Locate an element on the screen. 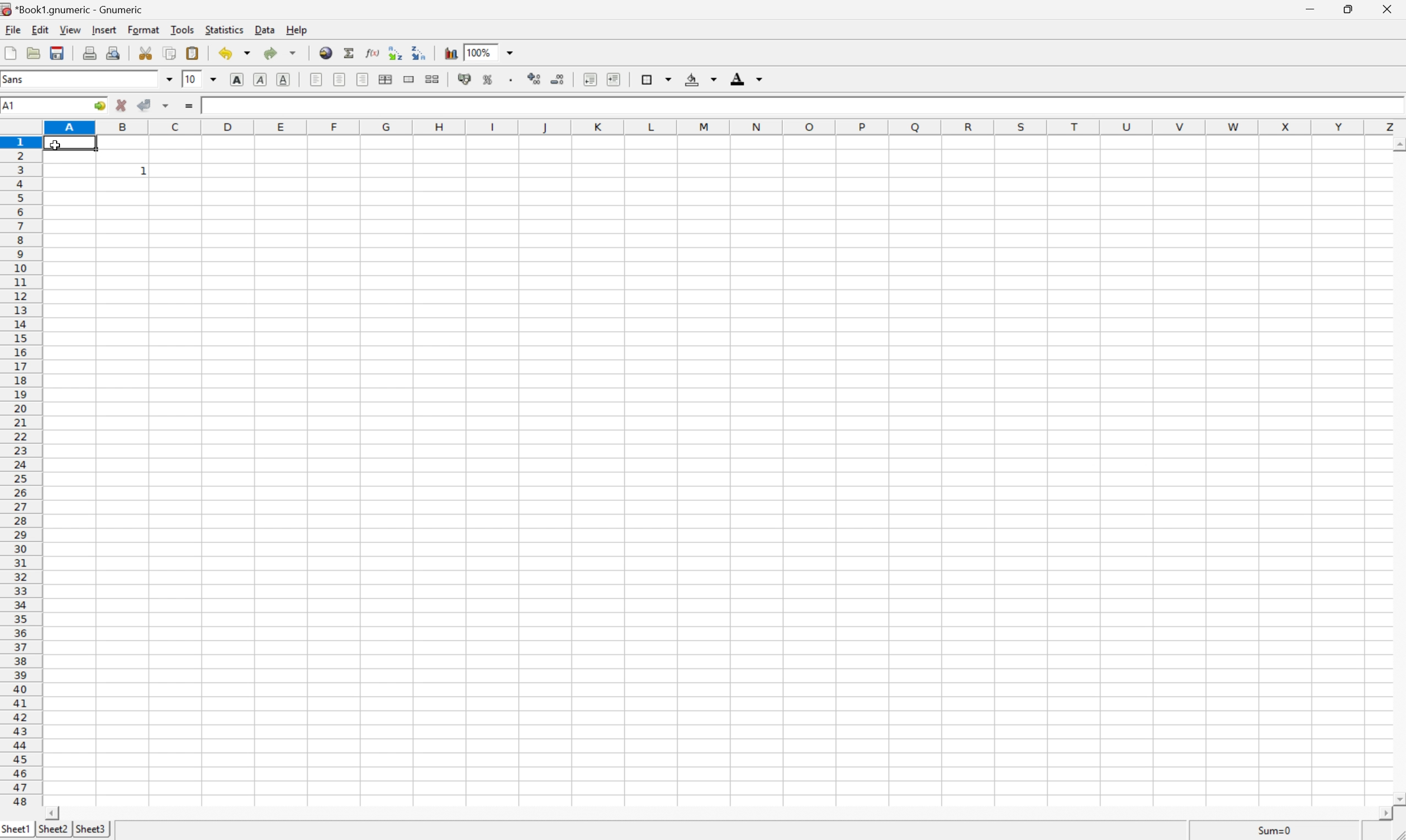 The image size is (1406, 840). enter formula is located at coordinates (192, 105).